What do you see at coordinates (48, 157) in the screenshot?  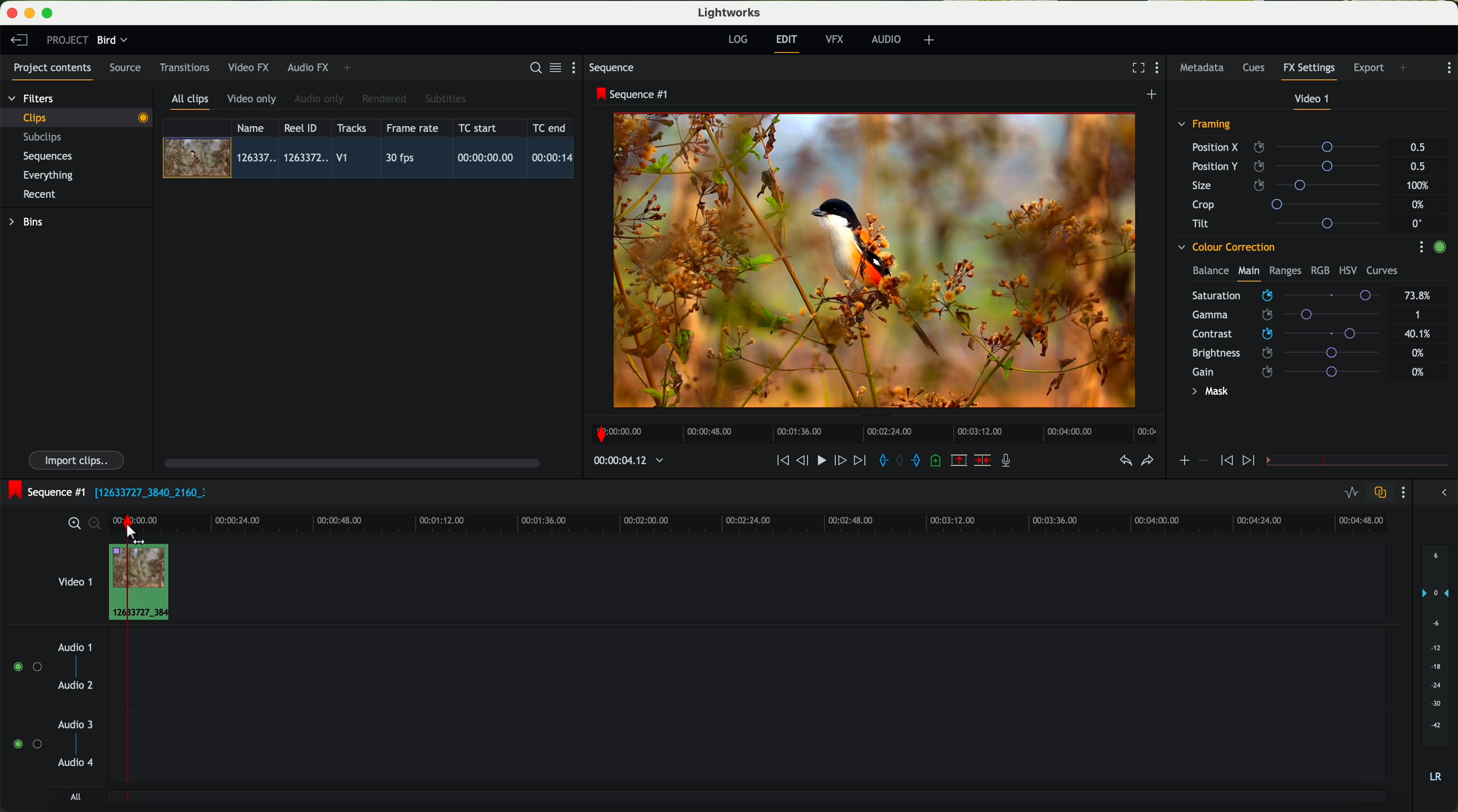 I see `sequences` at bounding box center [48, 157].